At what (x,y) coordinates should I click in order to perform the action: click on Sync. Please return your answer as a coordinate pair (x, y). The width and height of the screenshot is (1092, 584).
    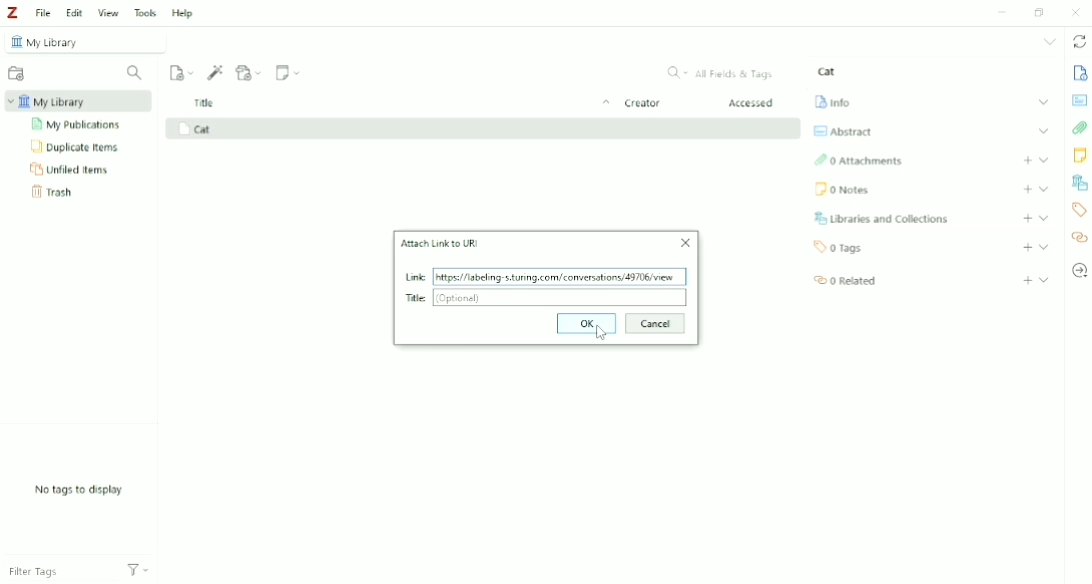
    Looking at the image, I should click on (1080, 43).